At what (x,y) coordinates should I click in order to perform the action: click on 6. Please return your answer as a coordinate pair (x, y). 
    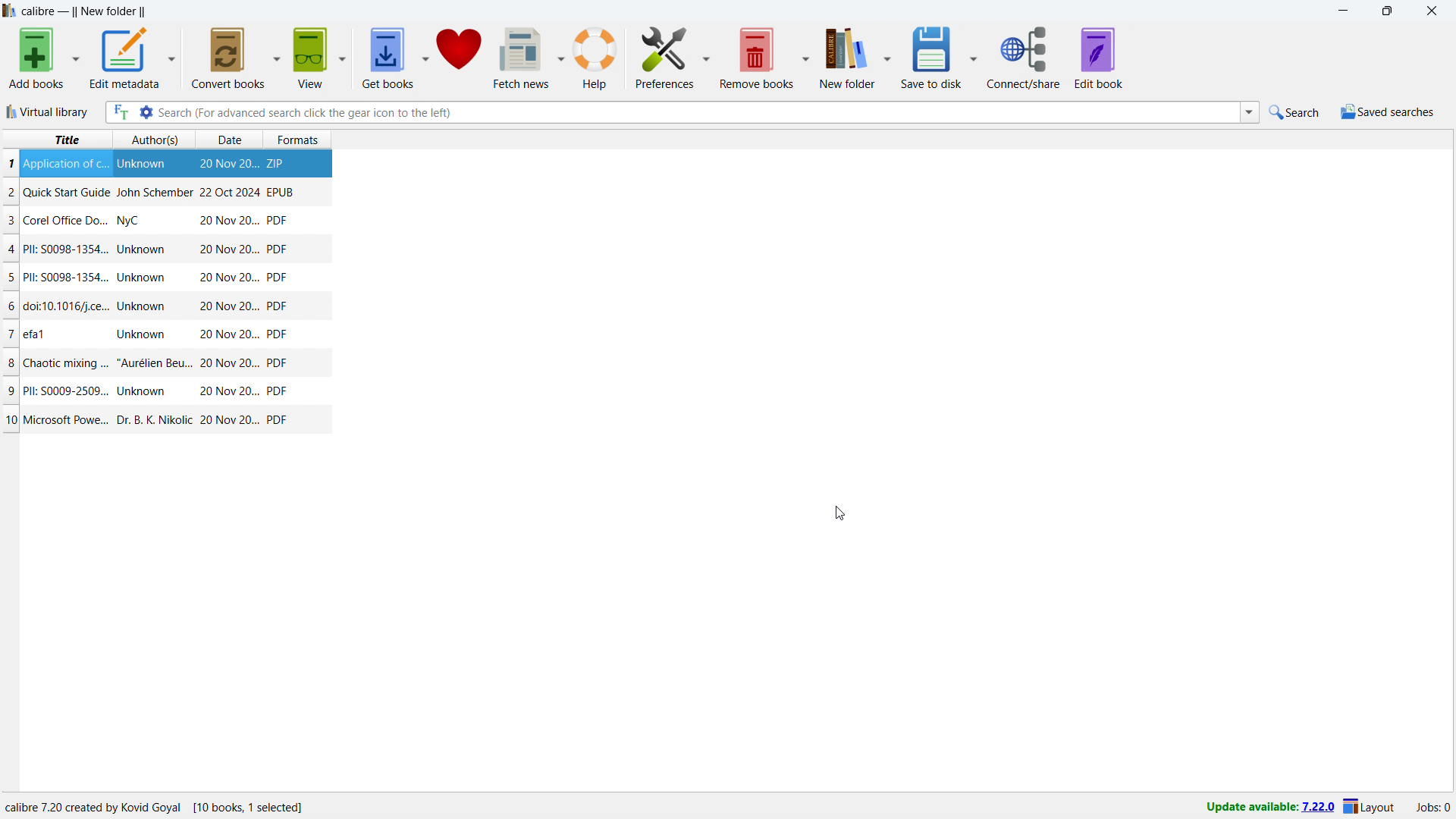
    Looking at the image, I should click on (12, 306).